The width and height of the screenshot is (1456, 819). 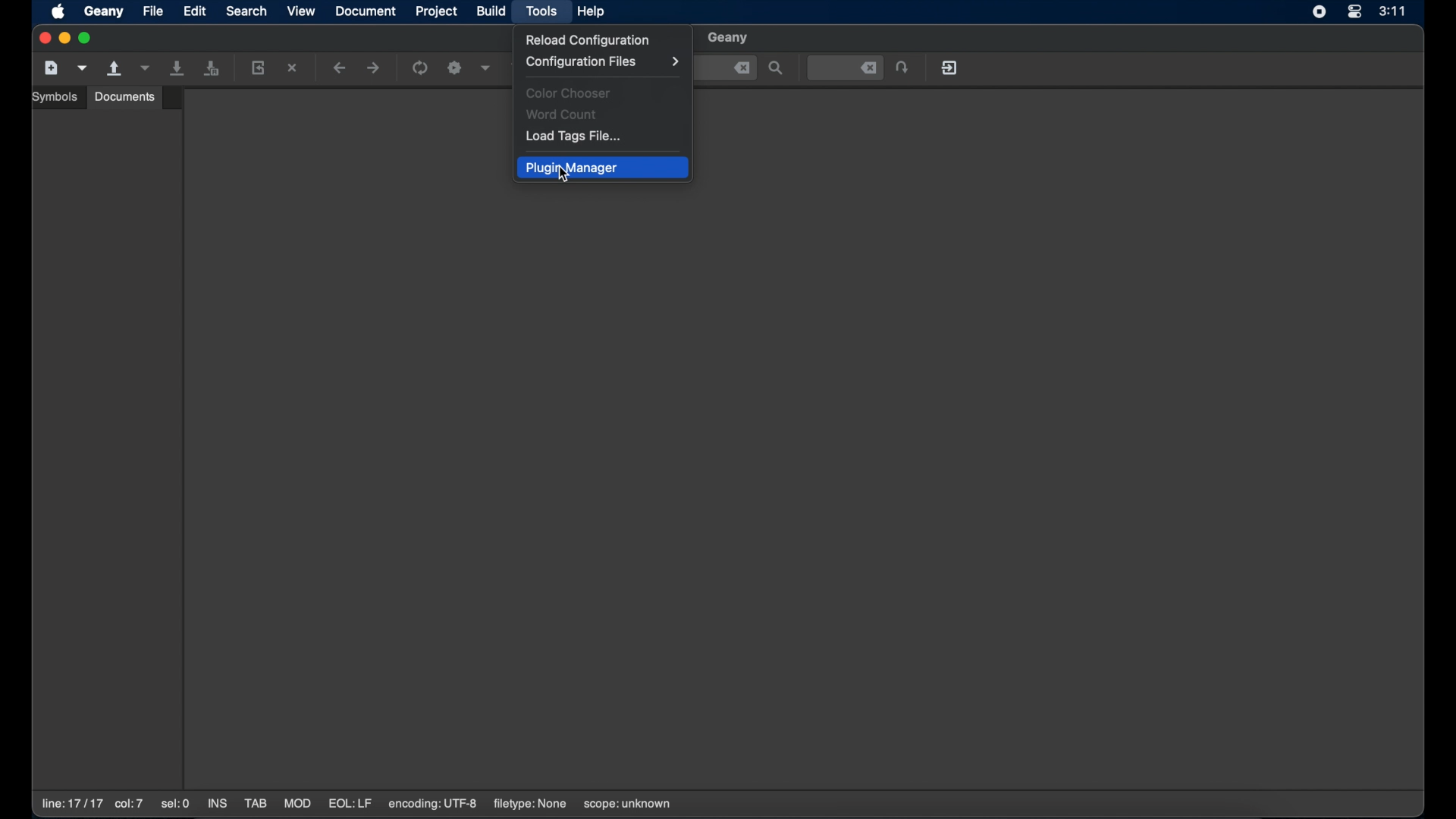 I want to click on encoding: UTF-8, so click(x=433, y=804).